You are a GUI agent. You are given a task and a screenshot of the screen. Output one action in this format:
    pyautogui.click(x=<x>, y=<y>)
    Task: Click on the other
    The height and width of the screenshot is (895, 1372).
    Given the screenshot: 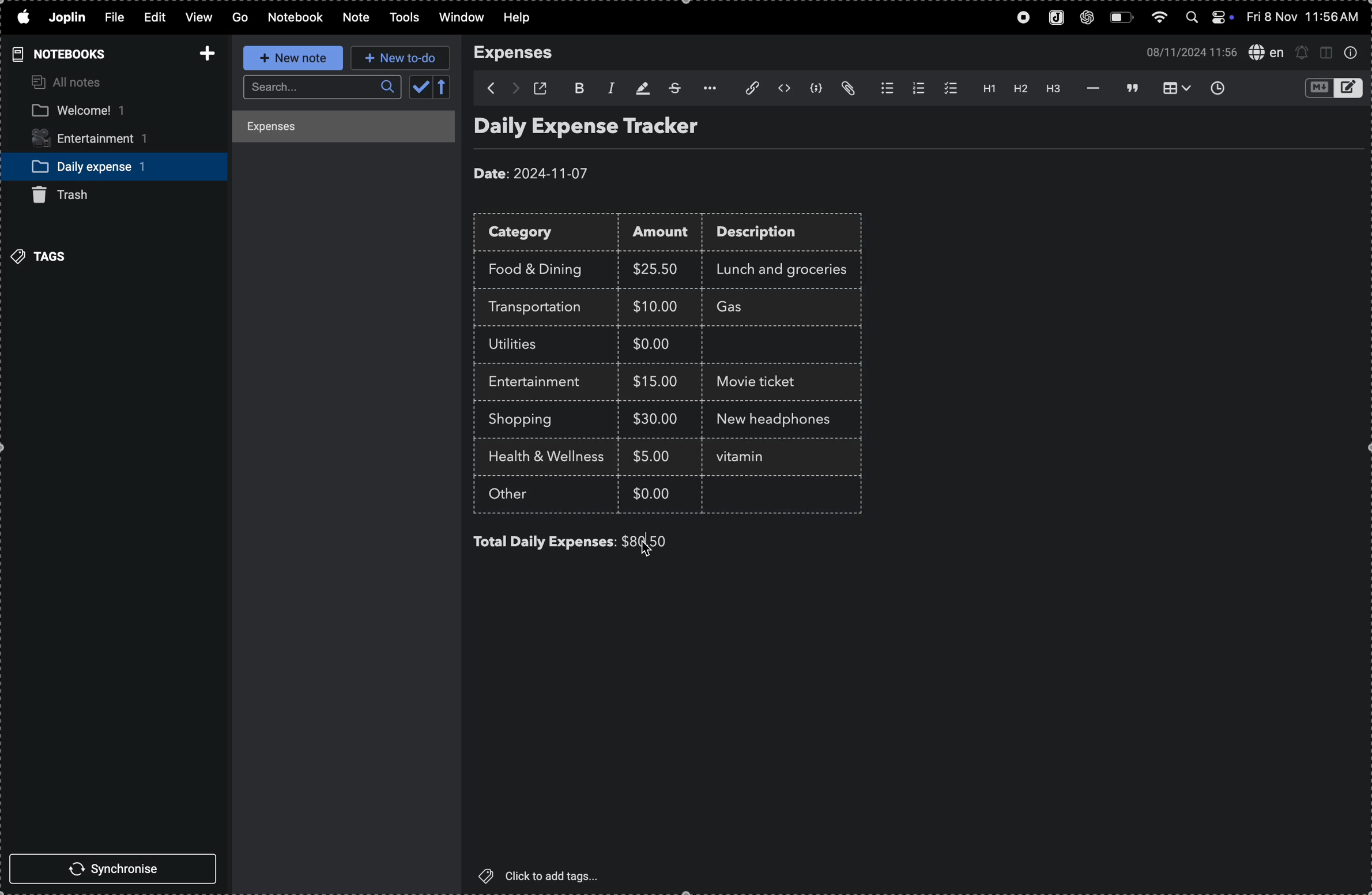 What is the action you would take?
    pyautogui.click(x=522, y=496)
    